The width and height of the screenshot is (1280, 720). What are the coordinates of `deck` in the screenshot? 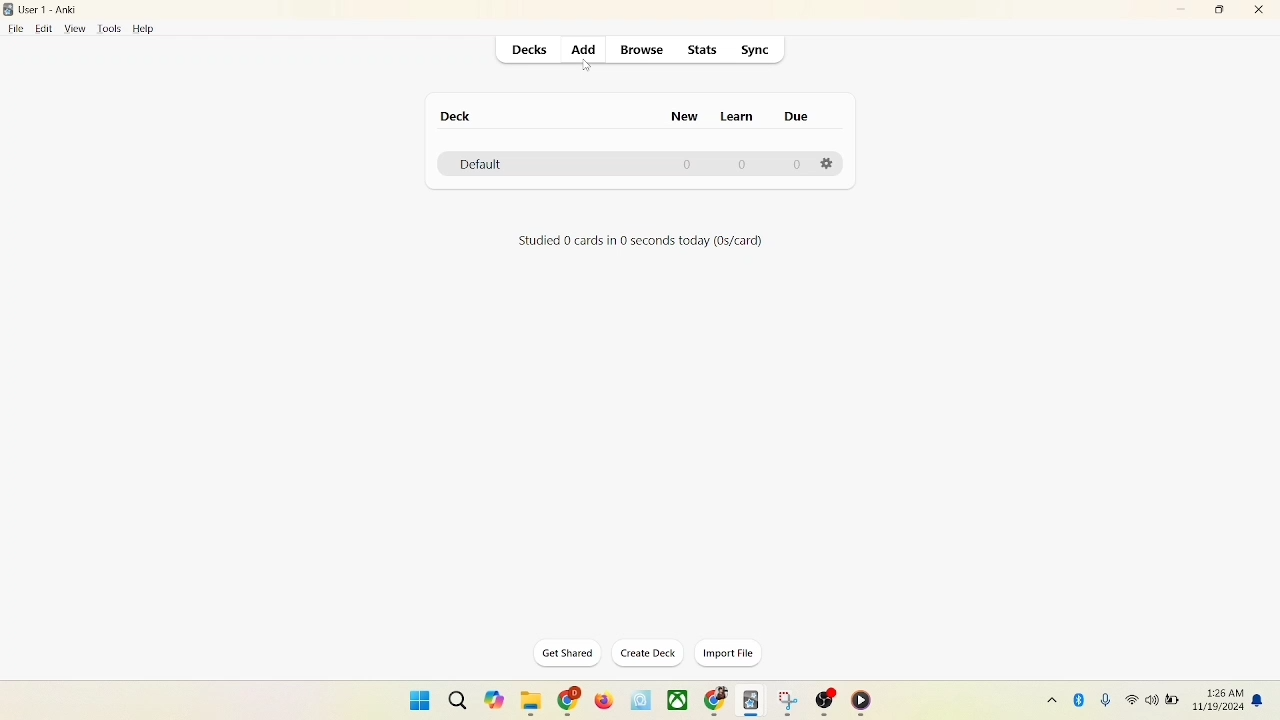 It's located at (456, 116).